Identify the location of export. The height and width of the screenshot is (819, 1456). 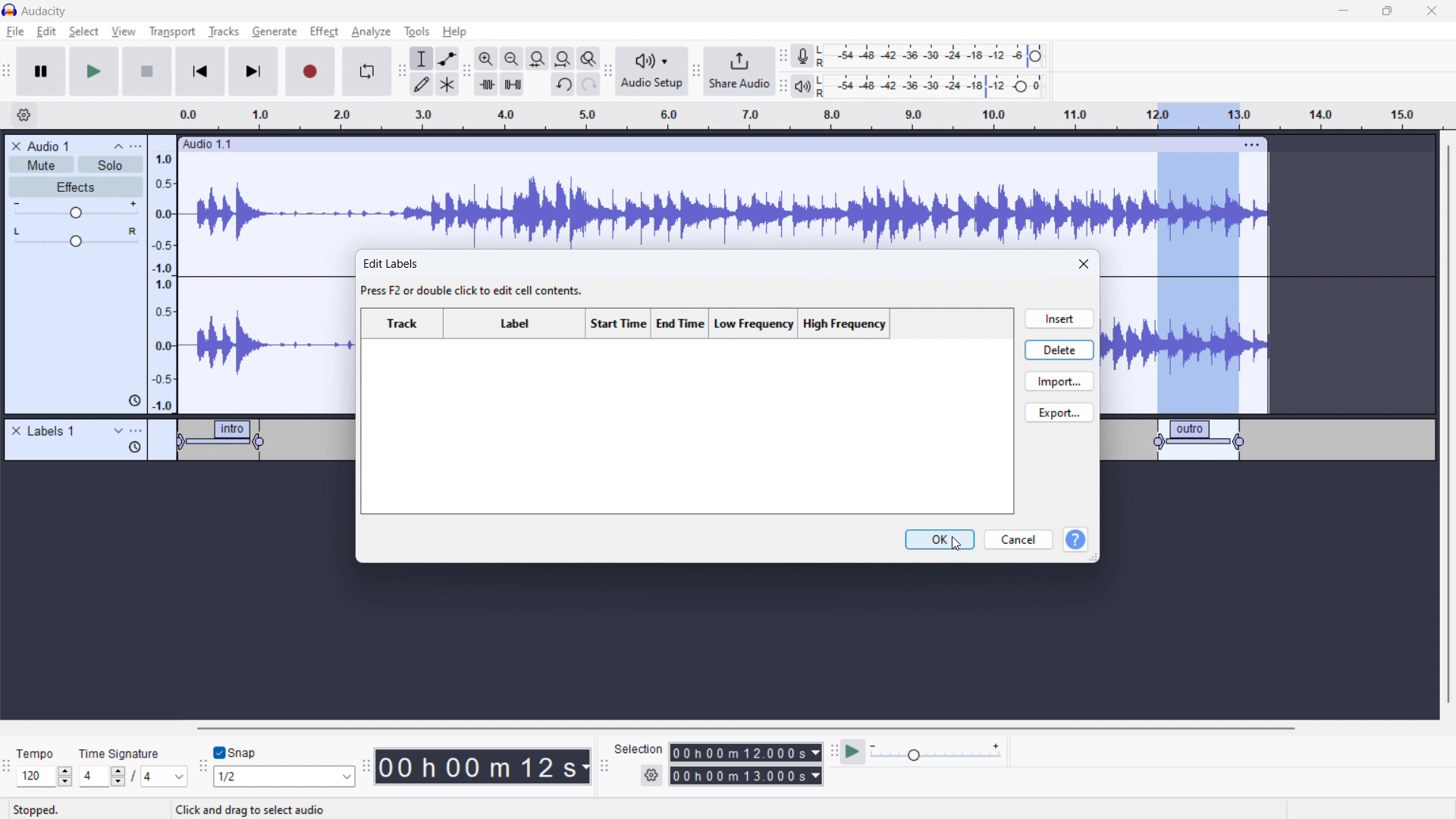
(1059, 412).